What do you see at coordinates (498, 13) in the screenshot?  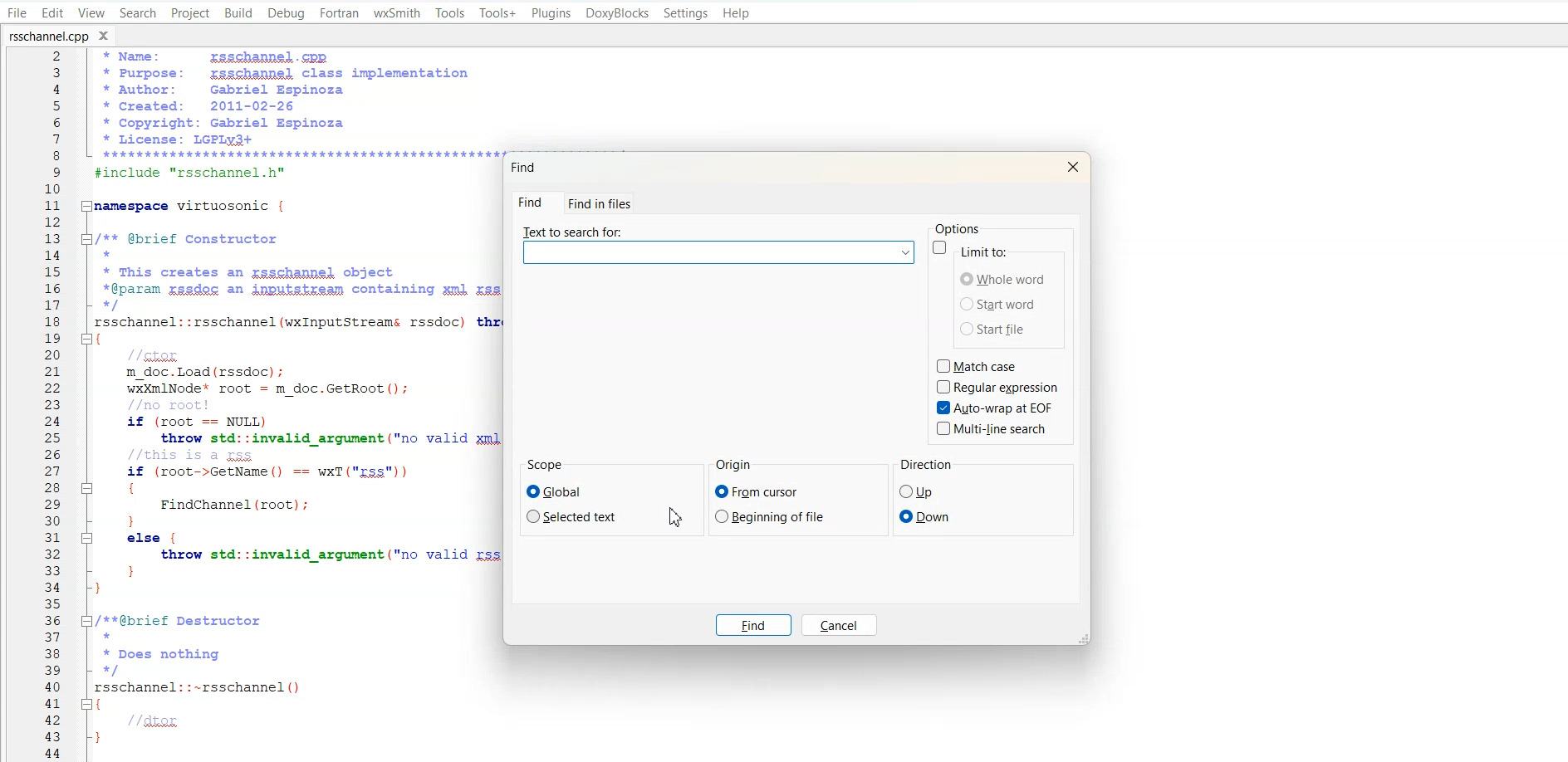 I see `Tools +` at bounding box center [498, 13].